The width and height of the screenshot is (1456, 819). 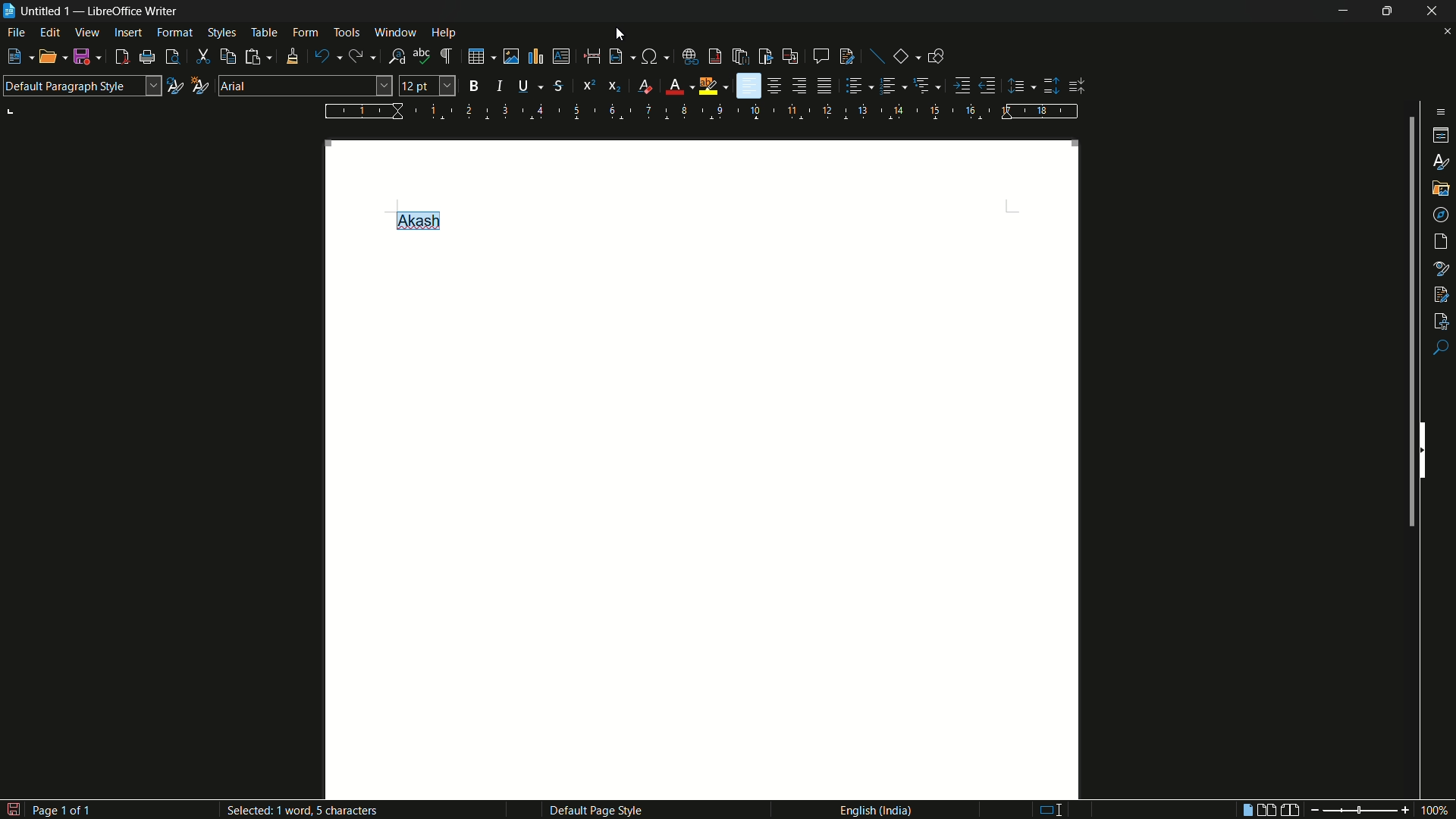 I want to click on set line spacing, so click(x=1018, y=86).